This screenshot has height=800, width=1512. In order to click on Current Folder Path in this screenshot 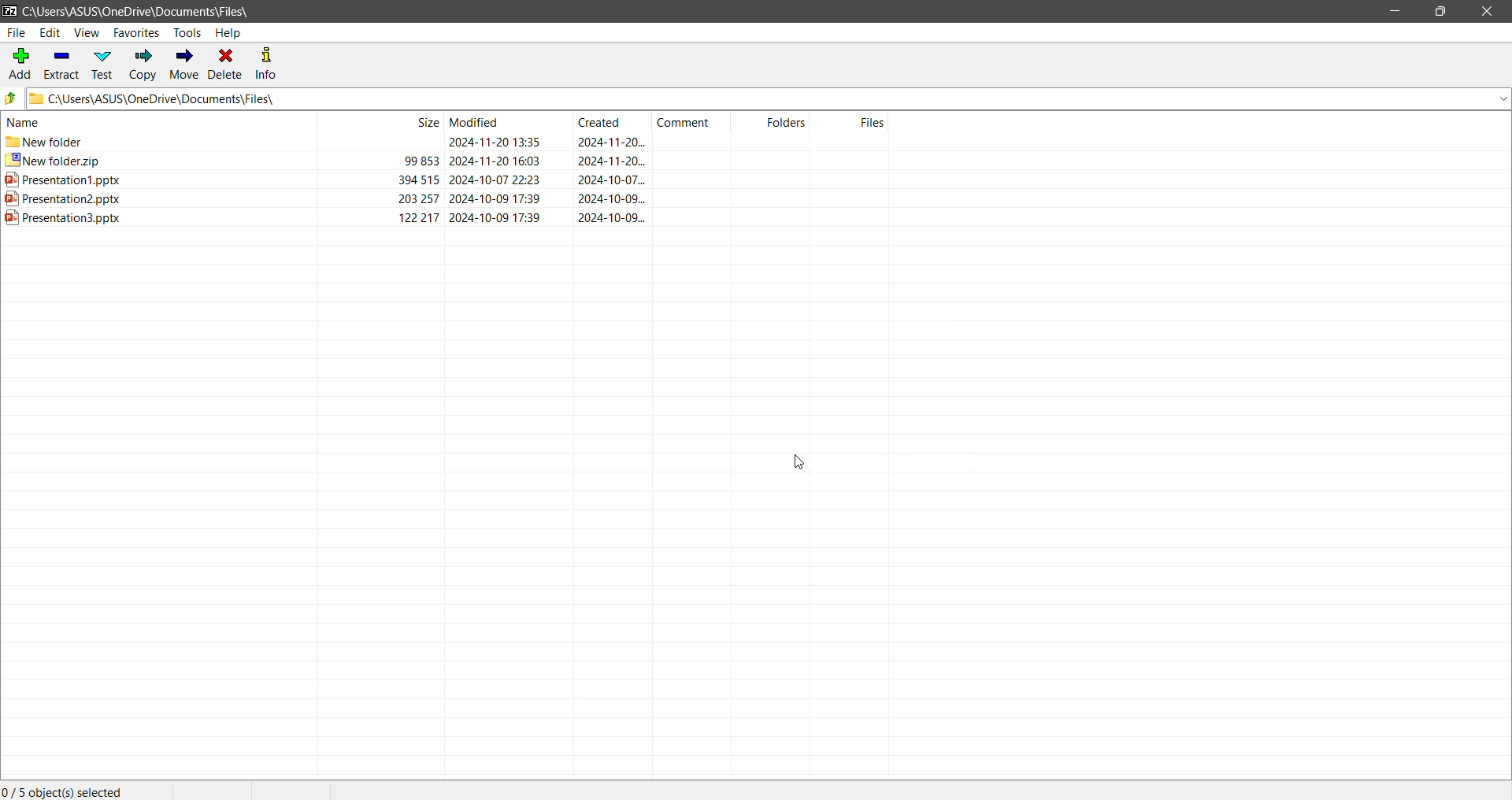, I will do `click(768, 98)`.